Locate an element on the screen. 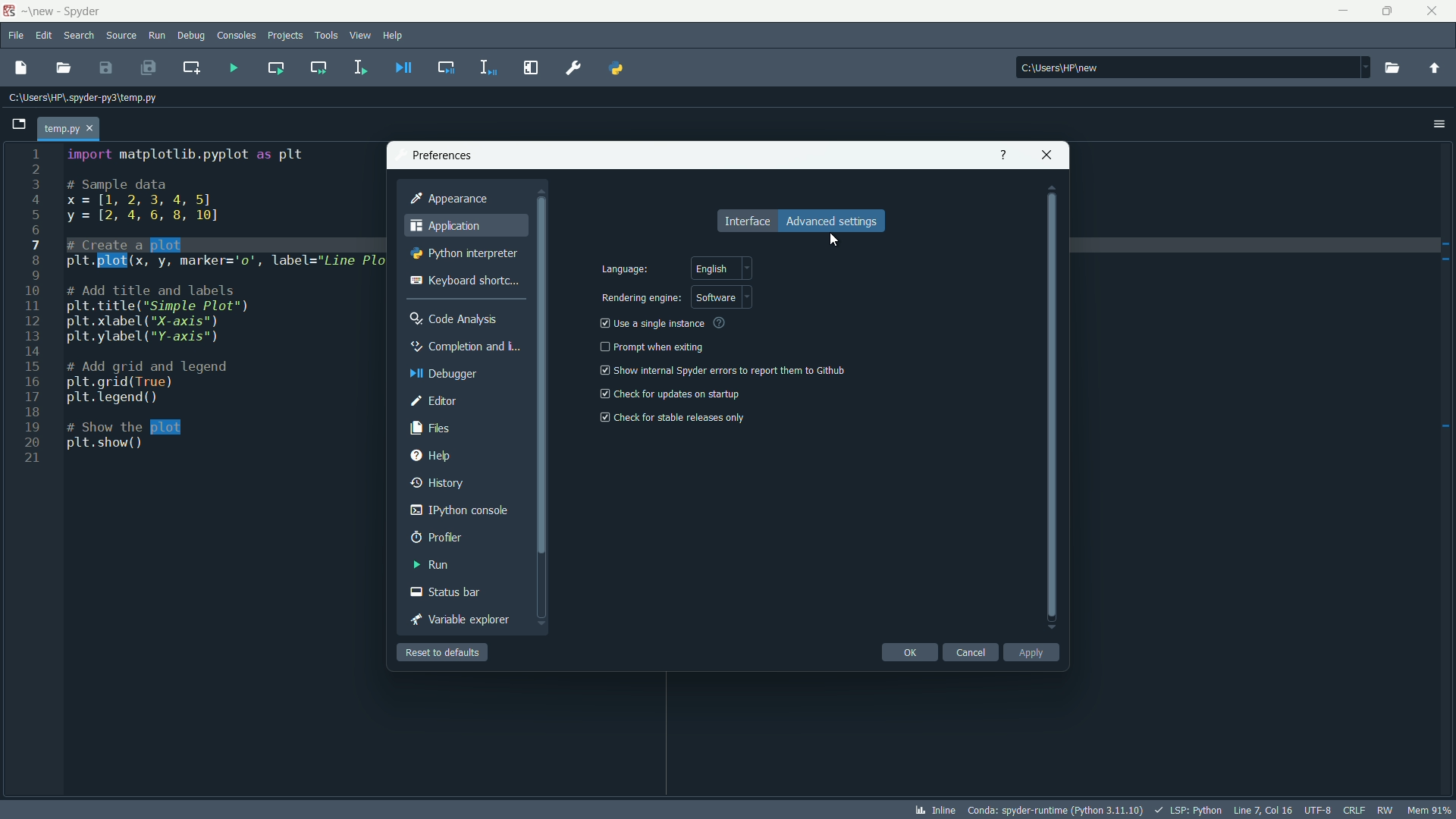 The width and height of the screenshot is (1456, 819). software dropdown is located at coordinates (723, 296).